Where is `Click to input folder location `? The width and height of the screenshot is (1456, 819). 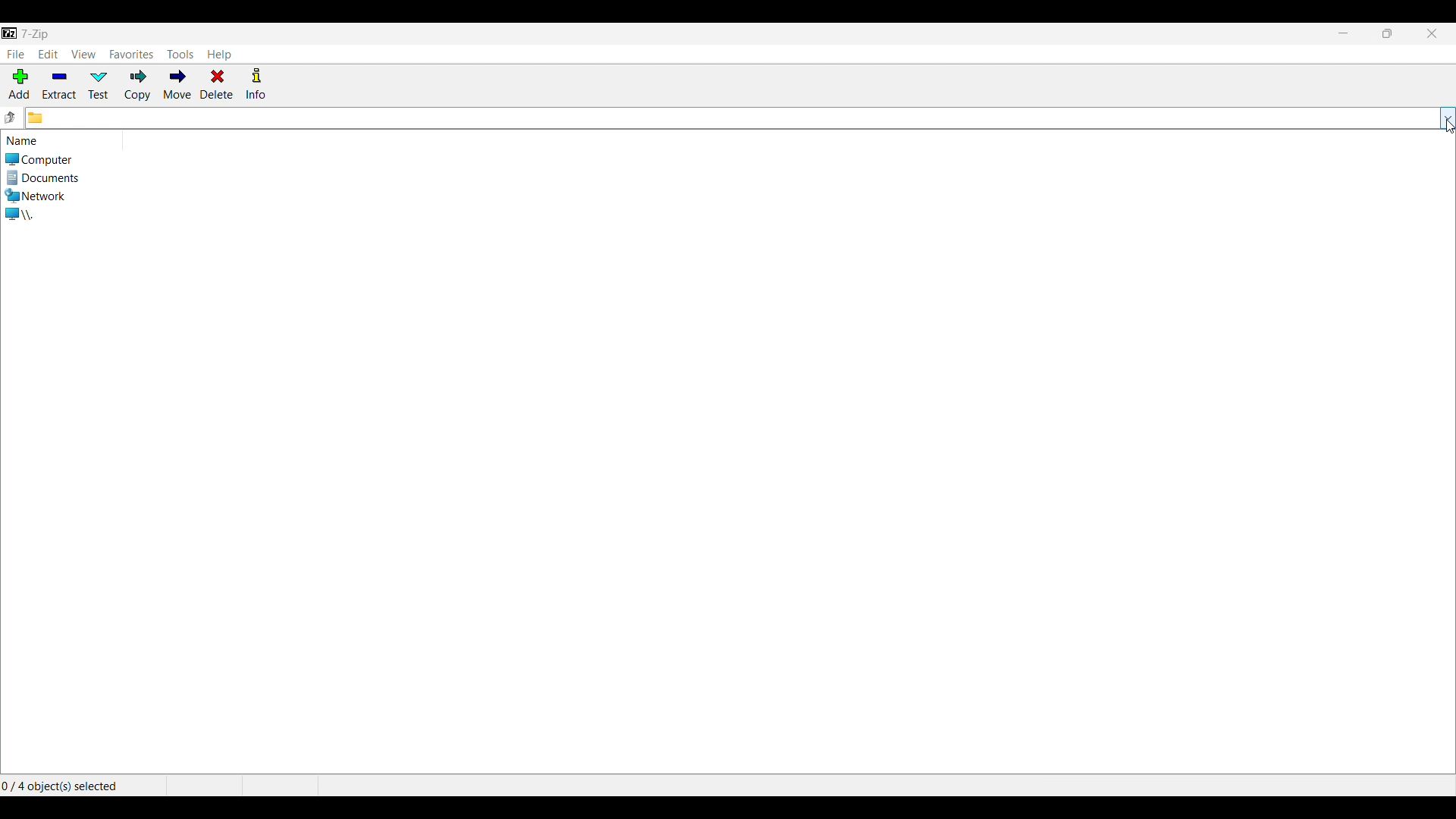 Click to input folder location  is located at coordinates (729, 118).